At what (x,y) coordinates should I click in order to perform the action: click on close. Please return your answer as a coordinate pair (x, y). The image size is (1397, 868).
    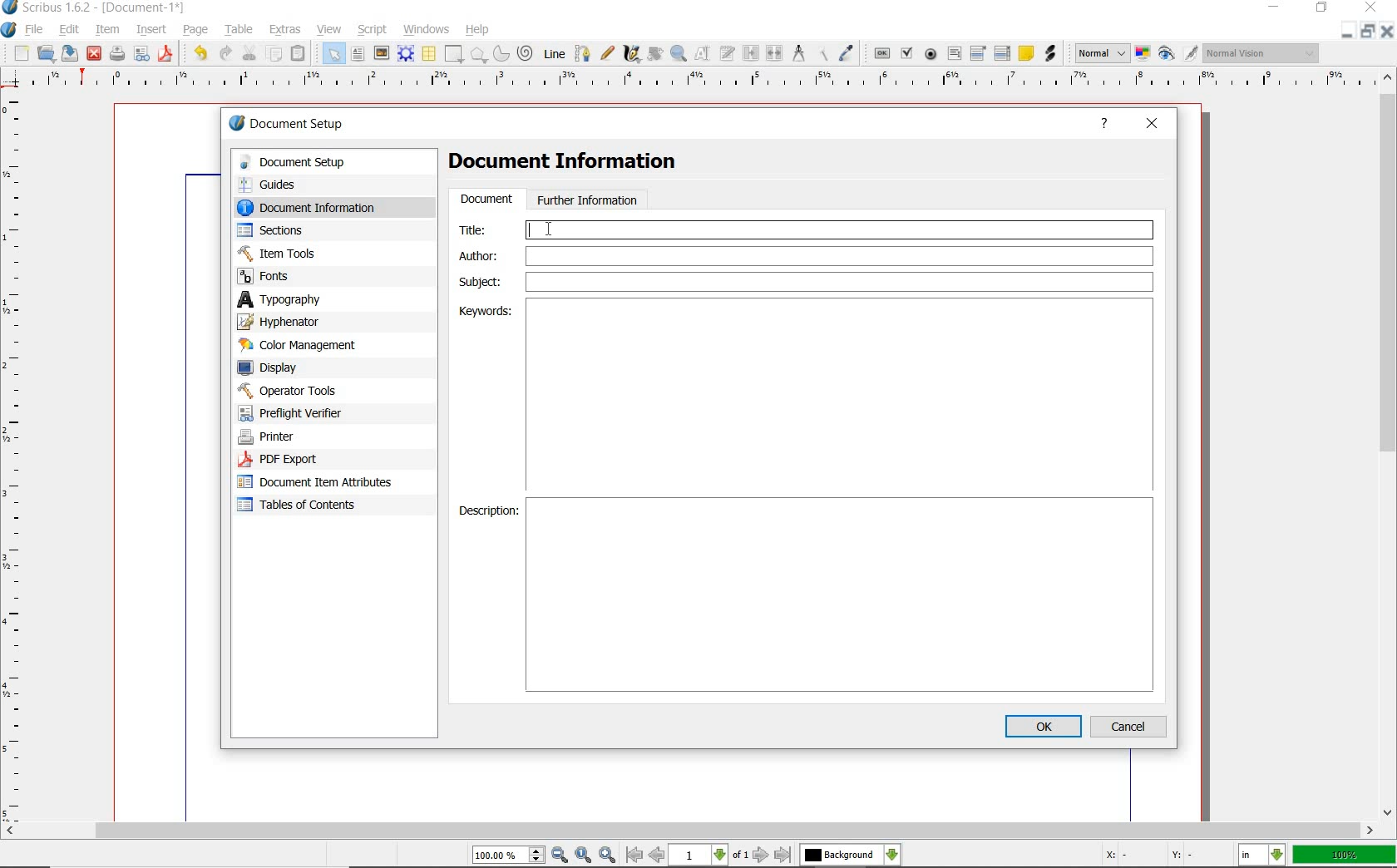
    Looking at the image, I should click on (1389, 34).